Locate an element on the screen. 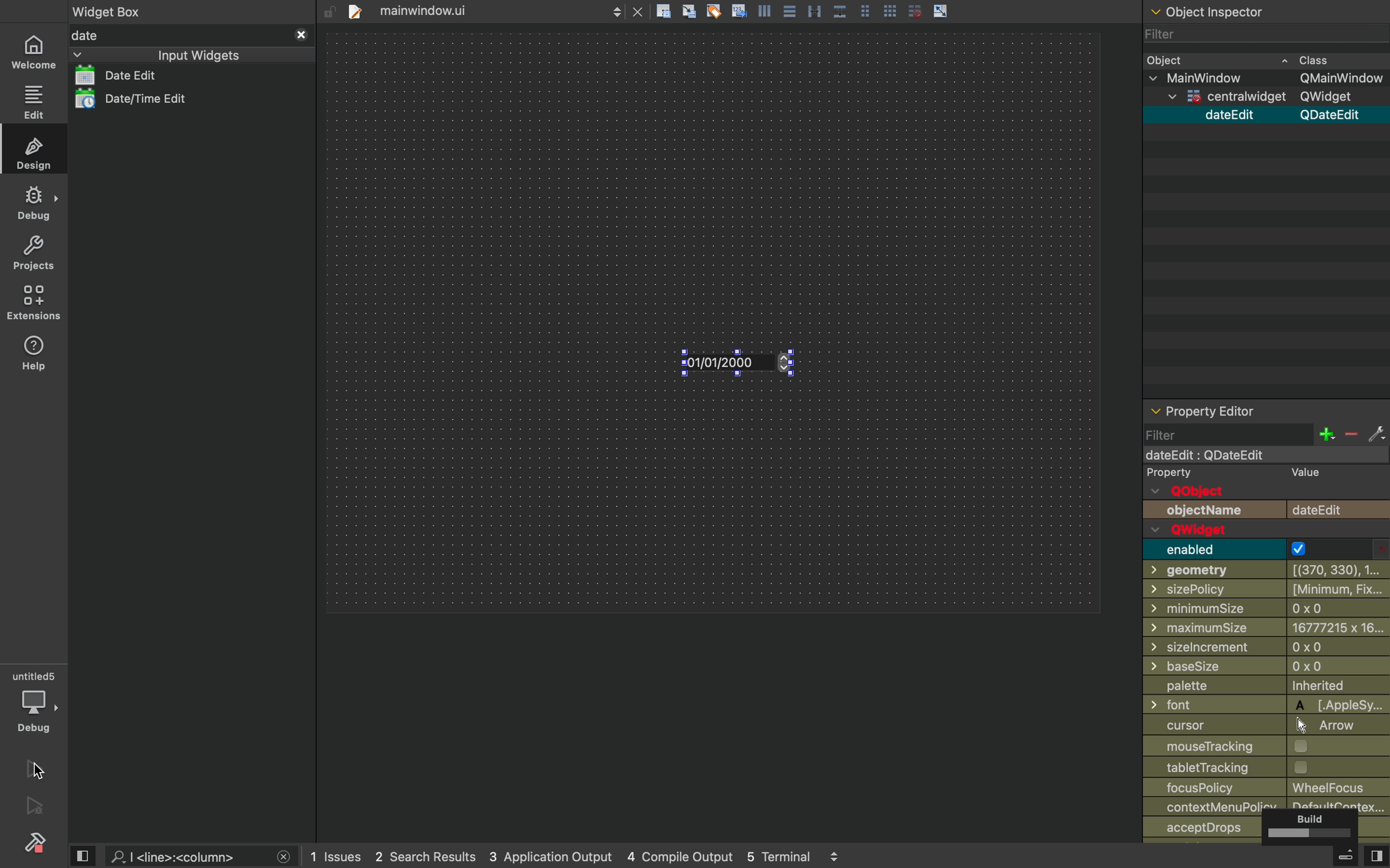 This screenshot has width=1390, height=868. search is located at coordinates (188, 855).